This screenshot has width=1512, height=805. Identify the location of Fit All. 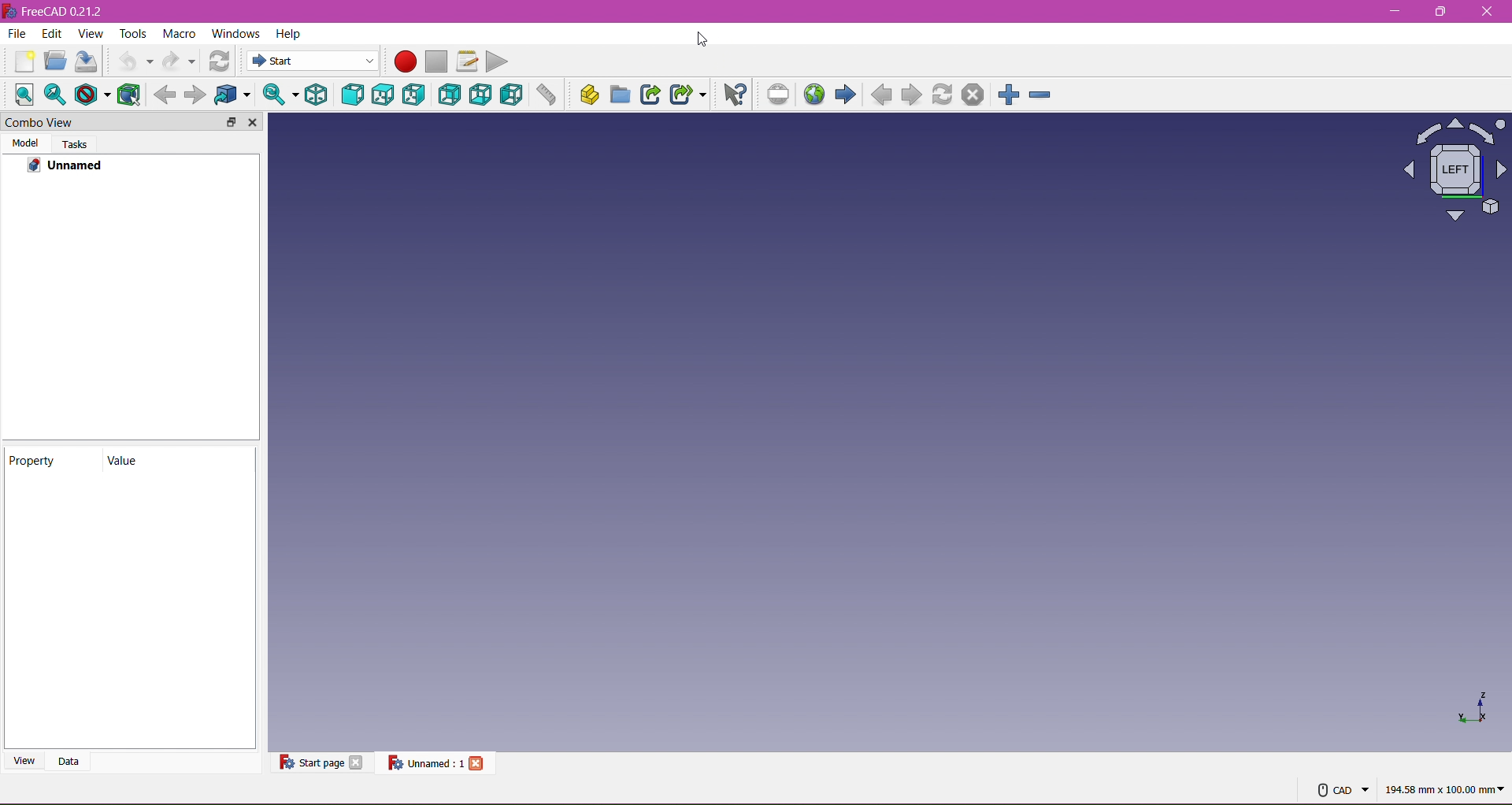
(54, 95).